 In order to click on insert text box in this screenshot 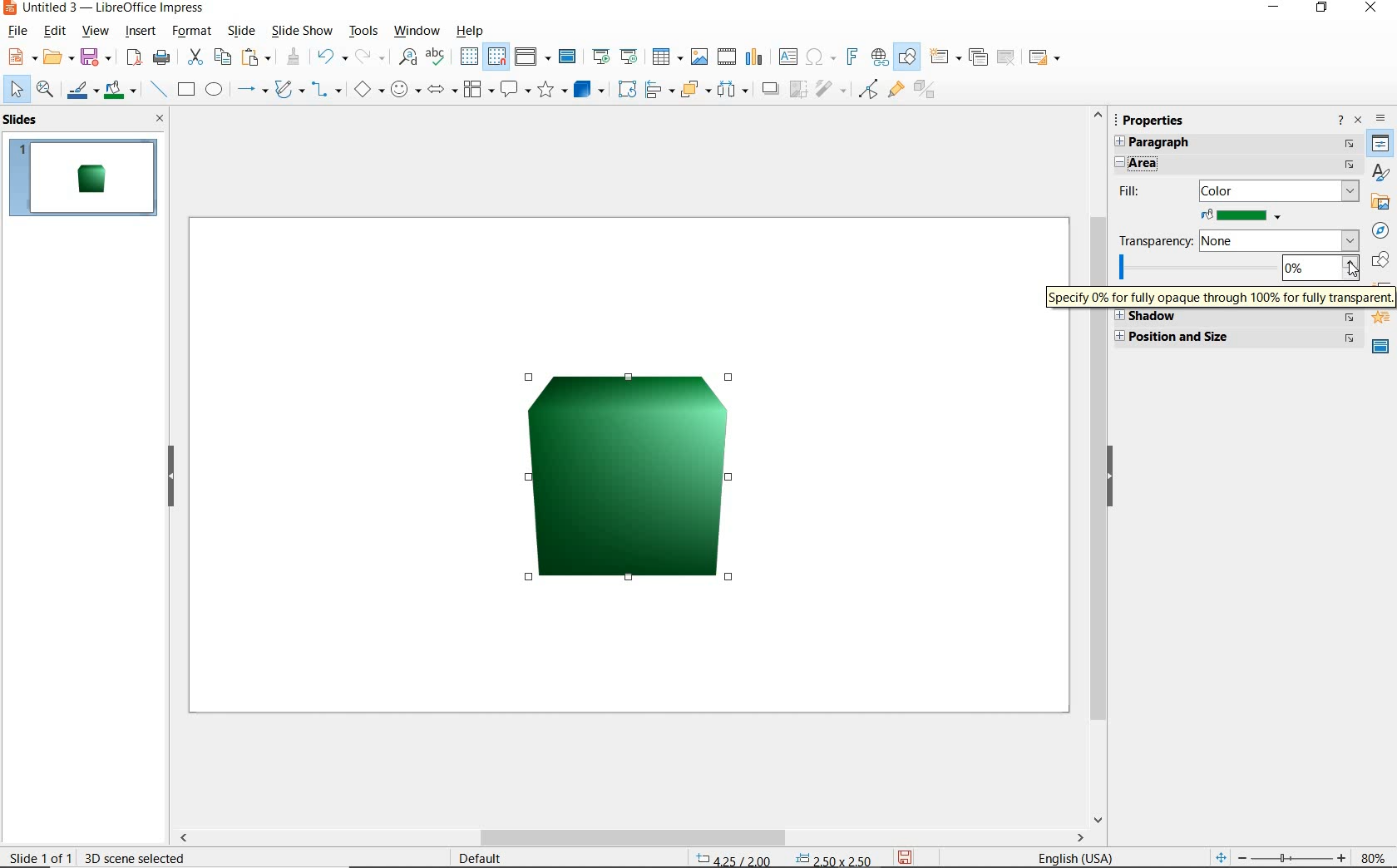, I will do `click(789, 57)`.